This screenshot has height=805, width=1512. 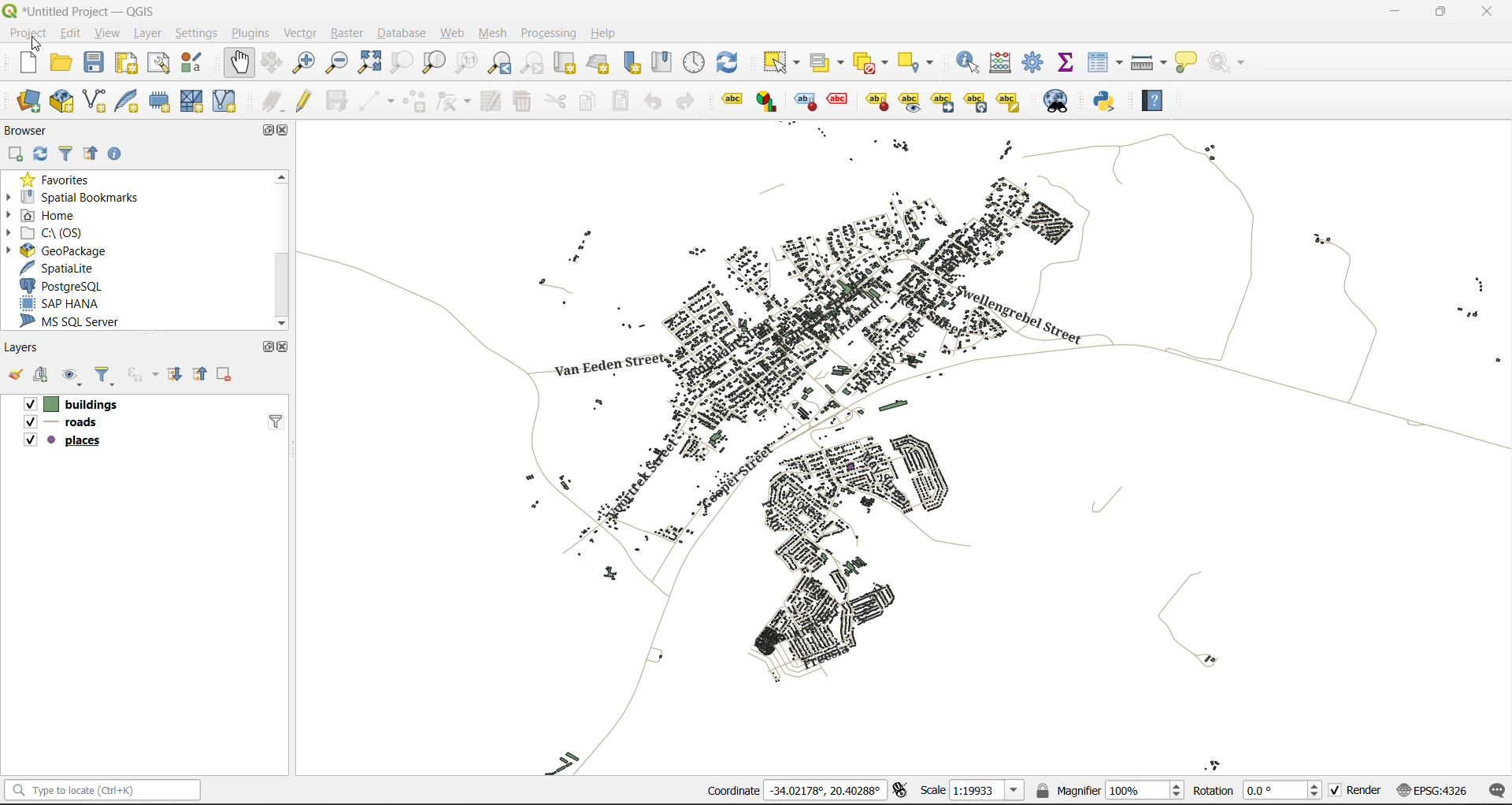 What do you see at coordinates (521, 104) in the screenshot?
I see `delete` at bounding box center [521, 104].